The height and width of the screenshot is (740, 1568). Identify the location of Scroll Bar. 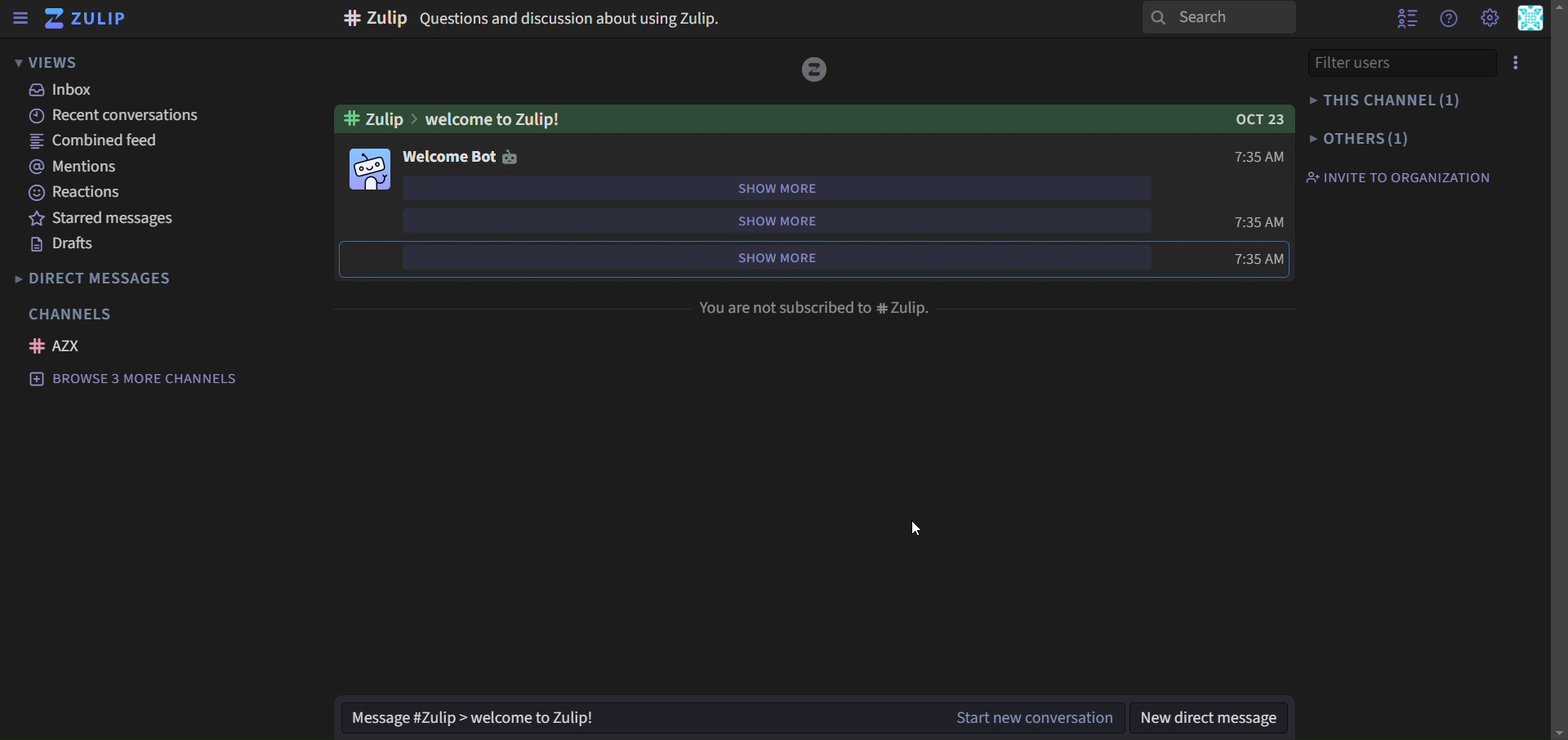
(1558, 370).